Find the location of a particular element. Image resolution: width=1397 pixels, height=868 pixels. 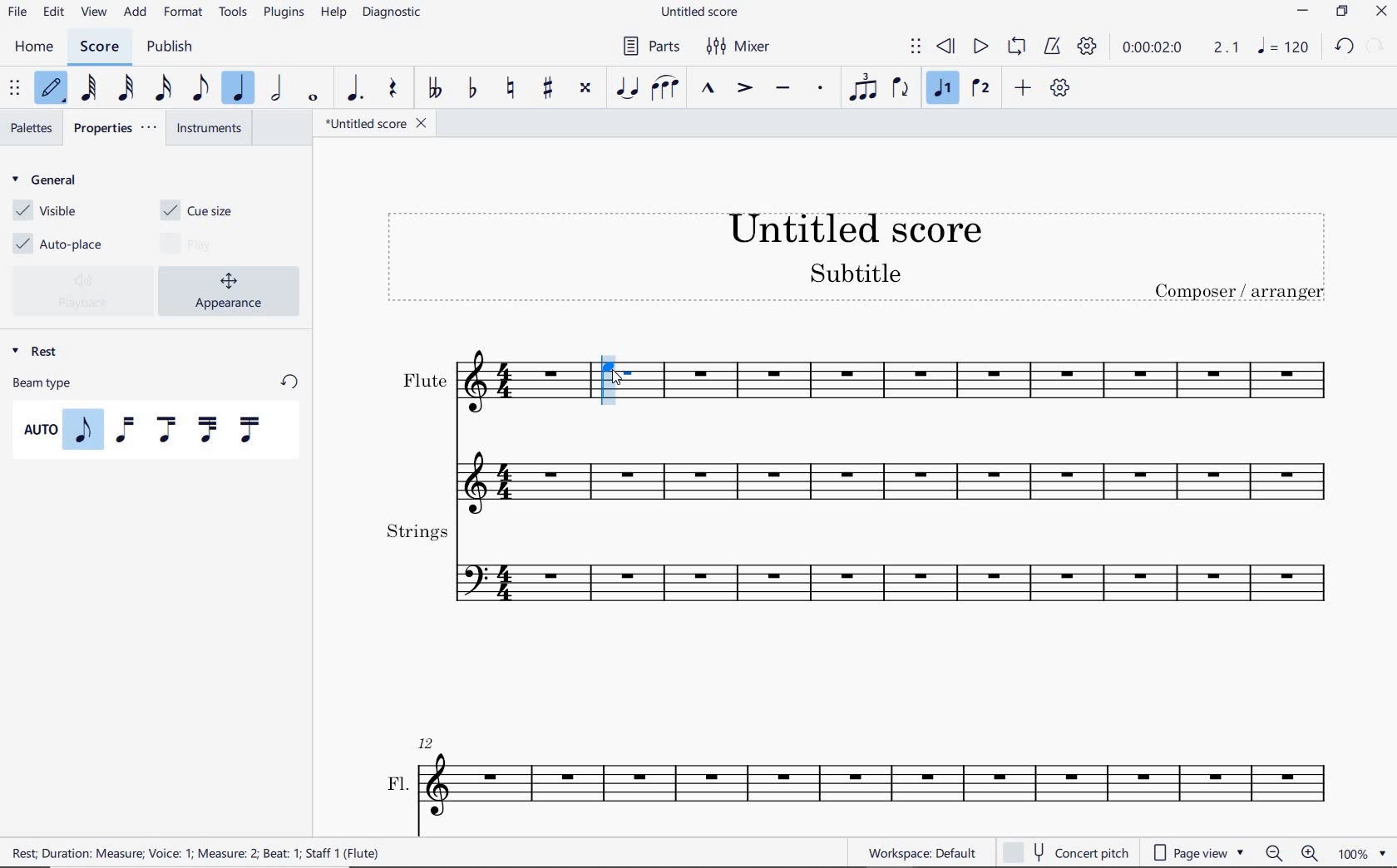

close is located at coordinates (1381, 12).